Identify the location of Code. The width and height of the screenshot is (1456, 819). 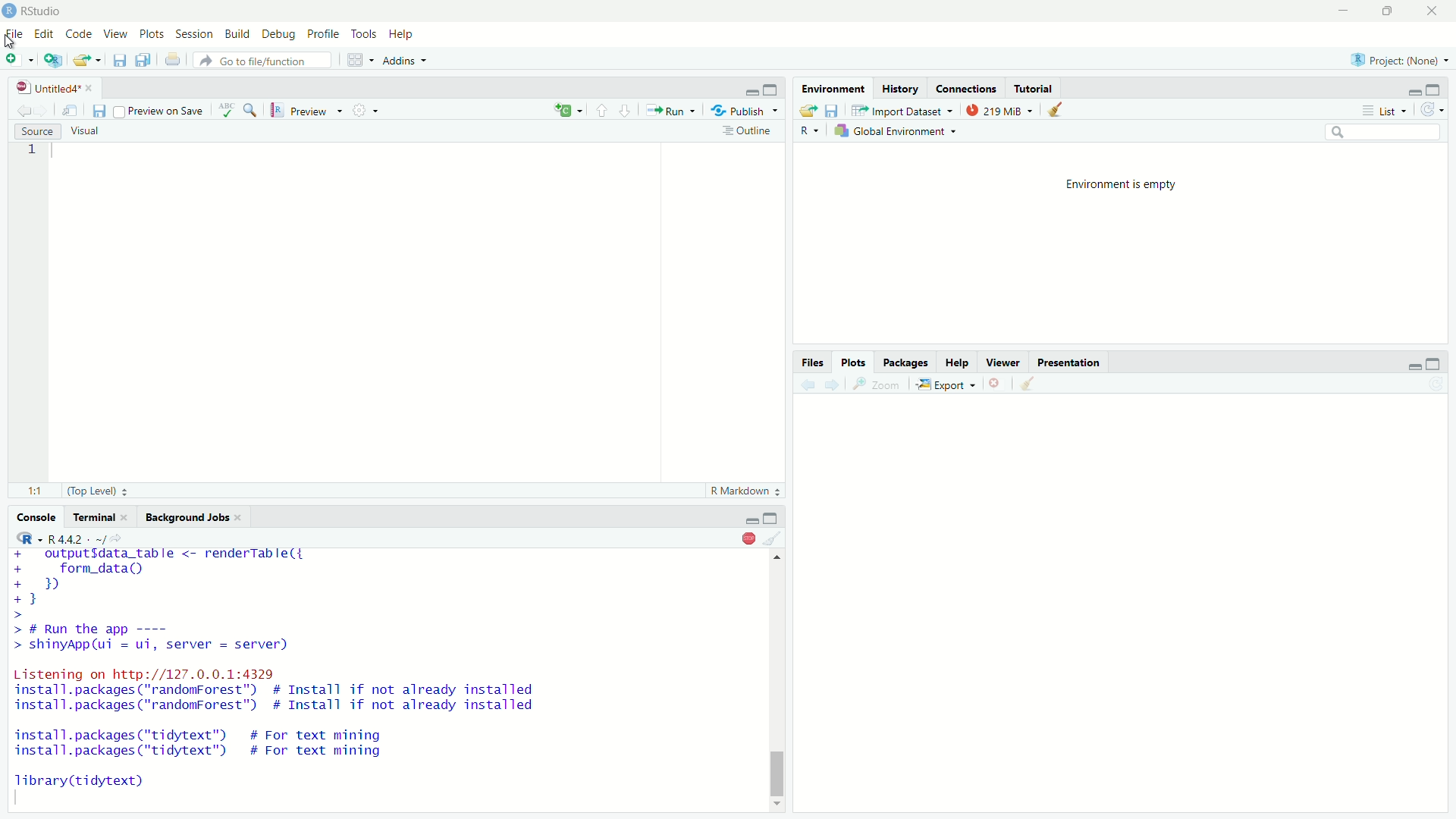
(79, 34).